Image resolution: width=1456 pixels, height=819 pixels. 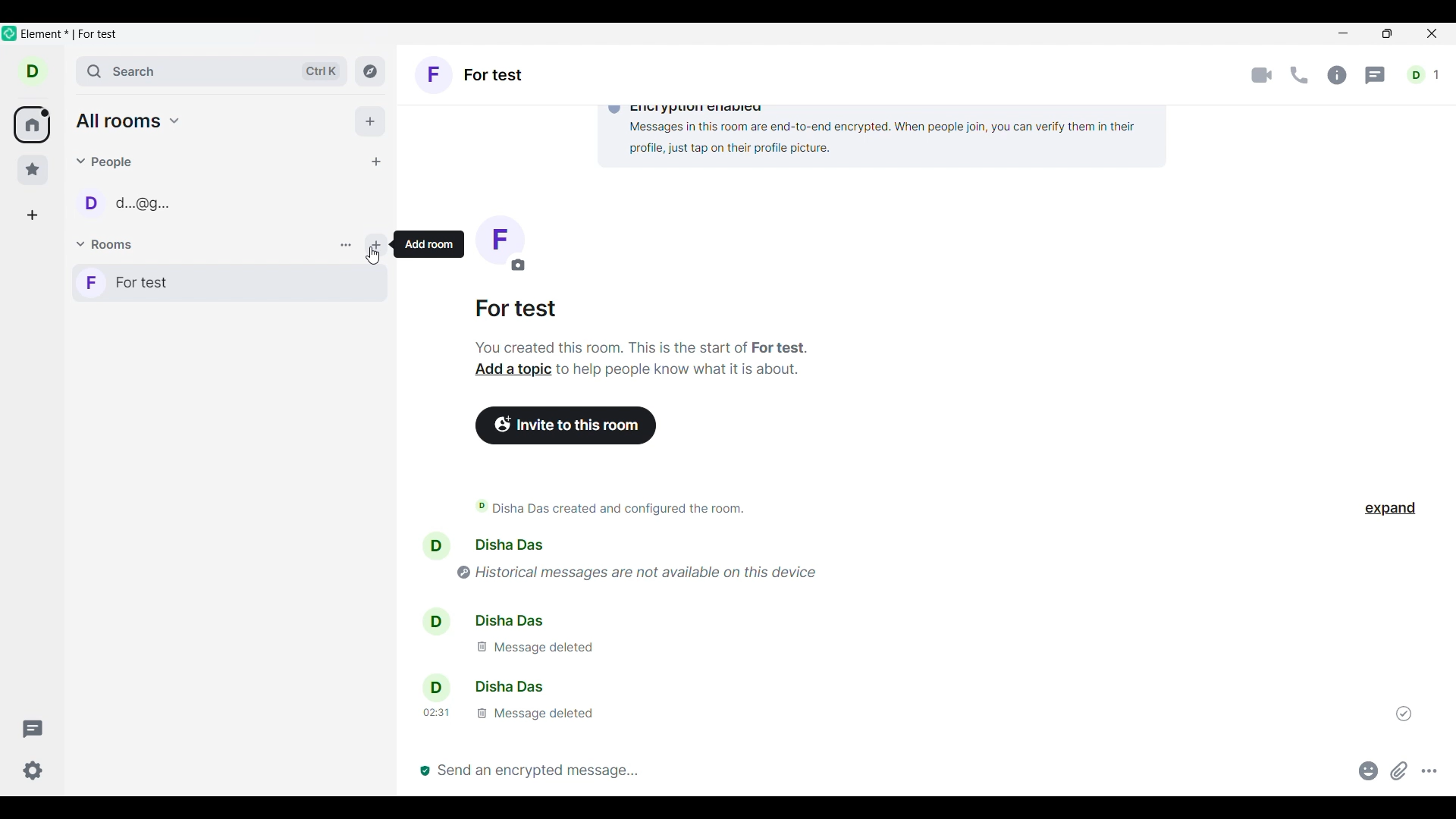 I want to click on Invite to this room, so click(x=566, y=425).